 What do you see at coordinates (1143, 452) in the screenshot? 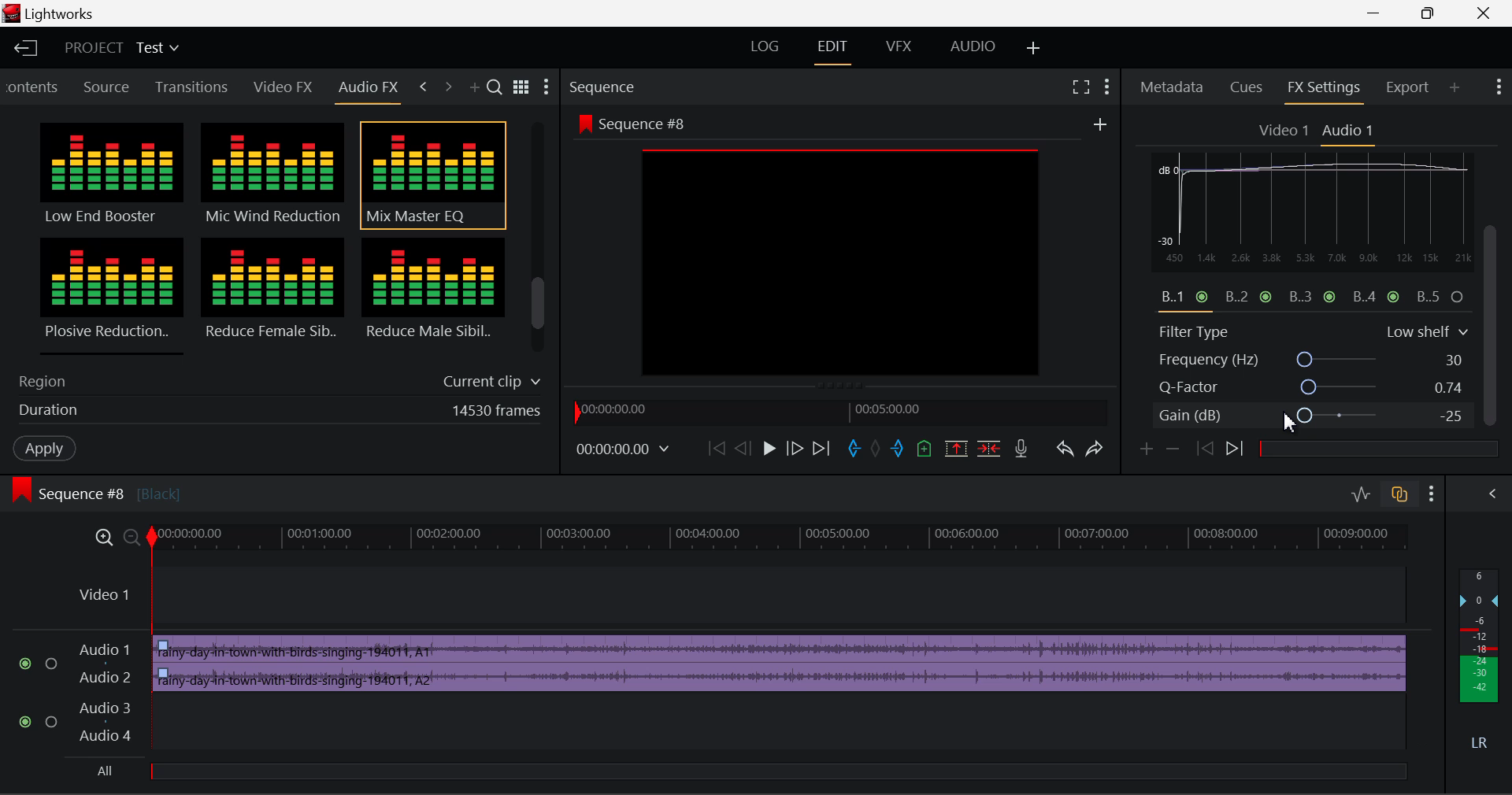
I see `Add keyframe` at bounding box center [1143, 452].